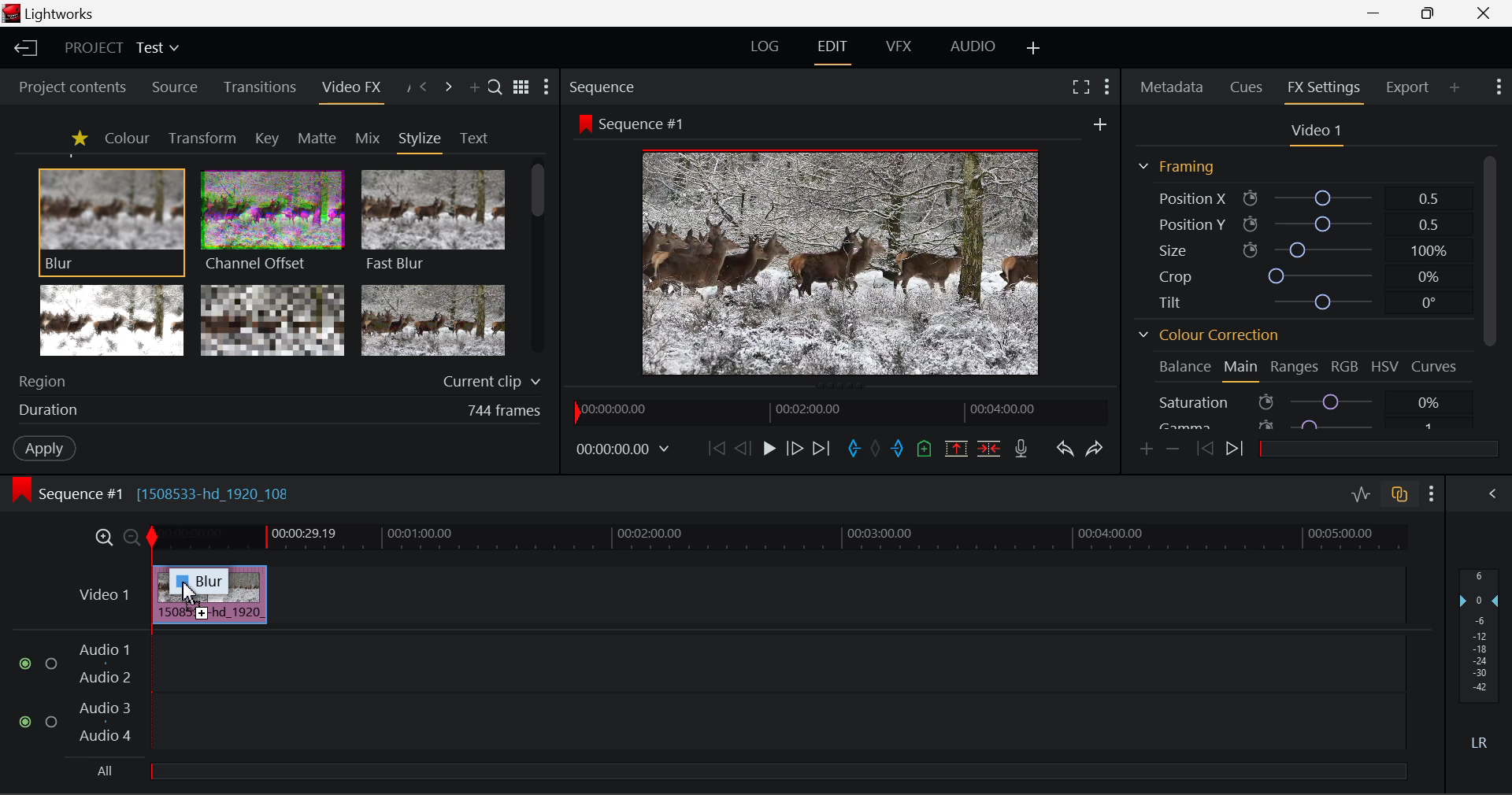  What do you see at coordinates (1299, 197) in the screenshot?
I see `Position X` at bounding box center [1299, 197].